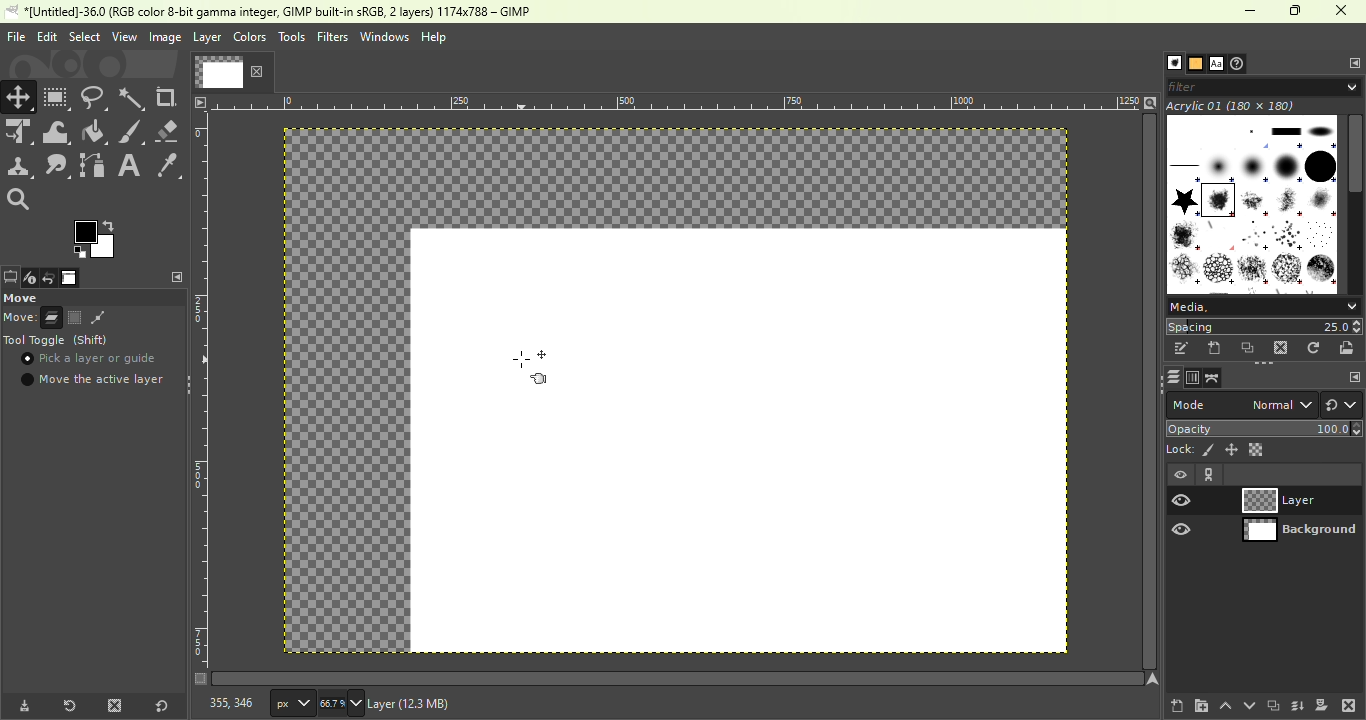 The width and height of the screenshot is (1366, 720). I want to click on Rectangle select tool, so click(57, 97).